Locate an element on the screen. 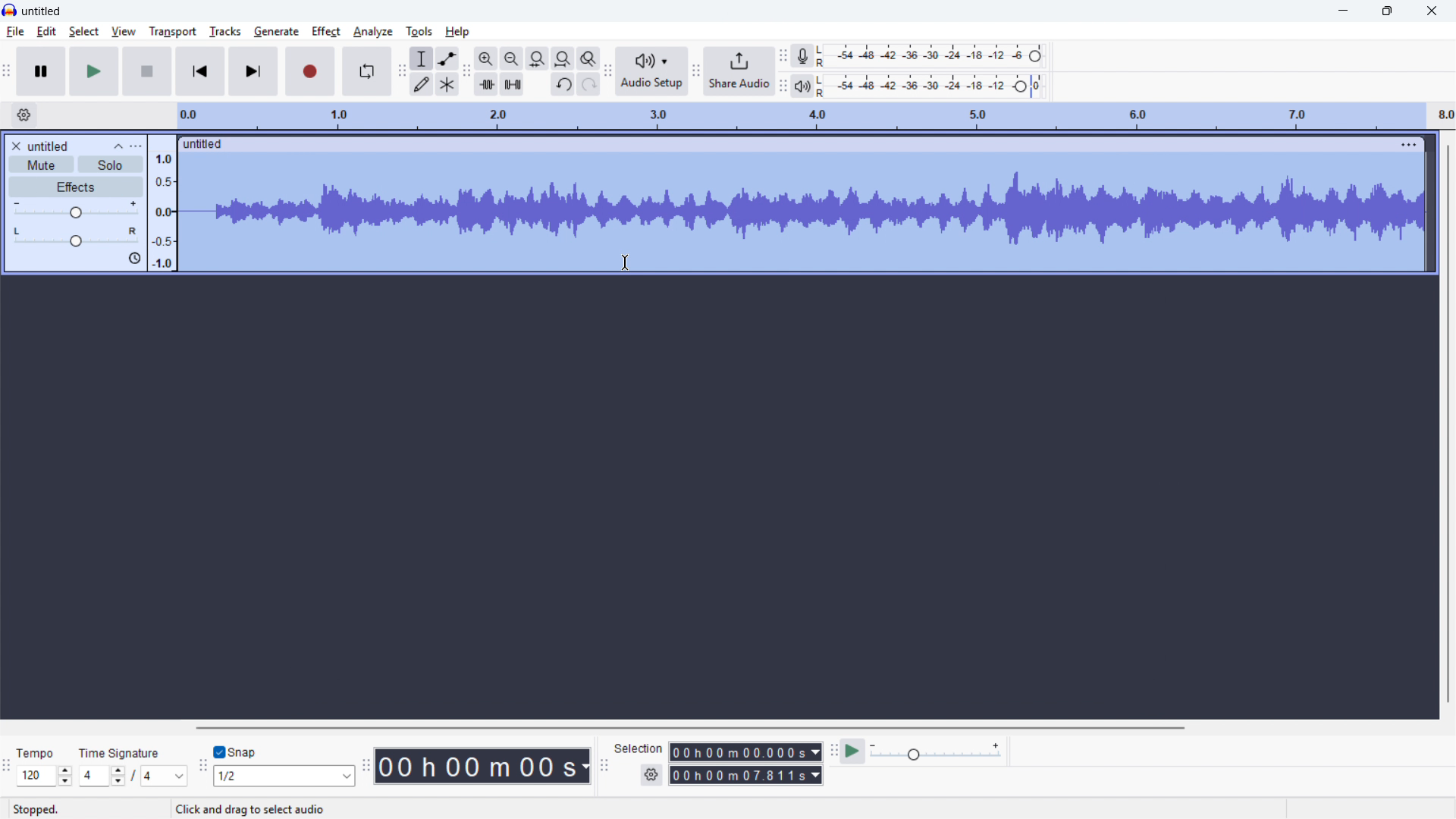 The height and width of the screenshot is (819, 1456). stopped. is located at coordinates (36, 810).